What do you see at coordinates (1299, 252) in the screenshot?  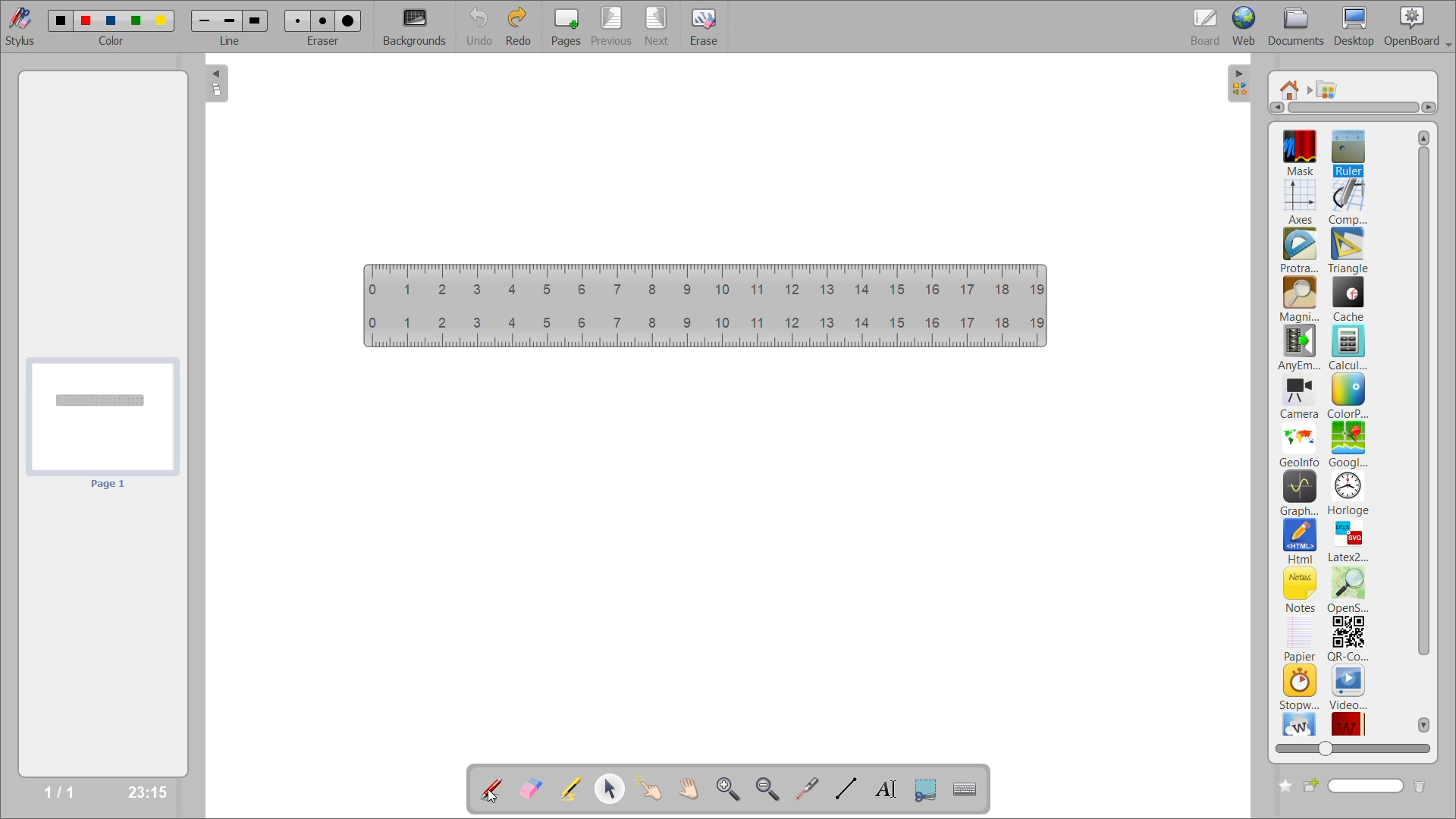 I see `protractor` at bounding box center [1299, 252].